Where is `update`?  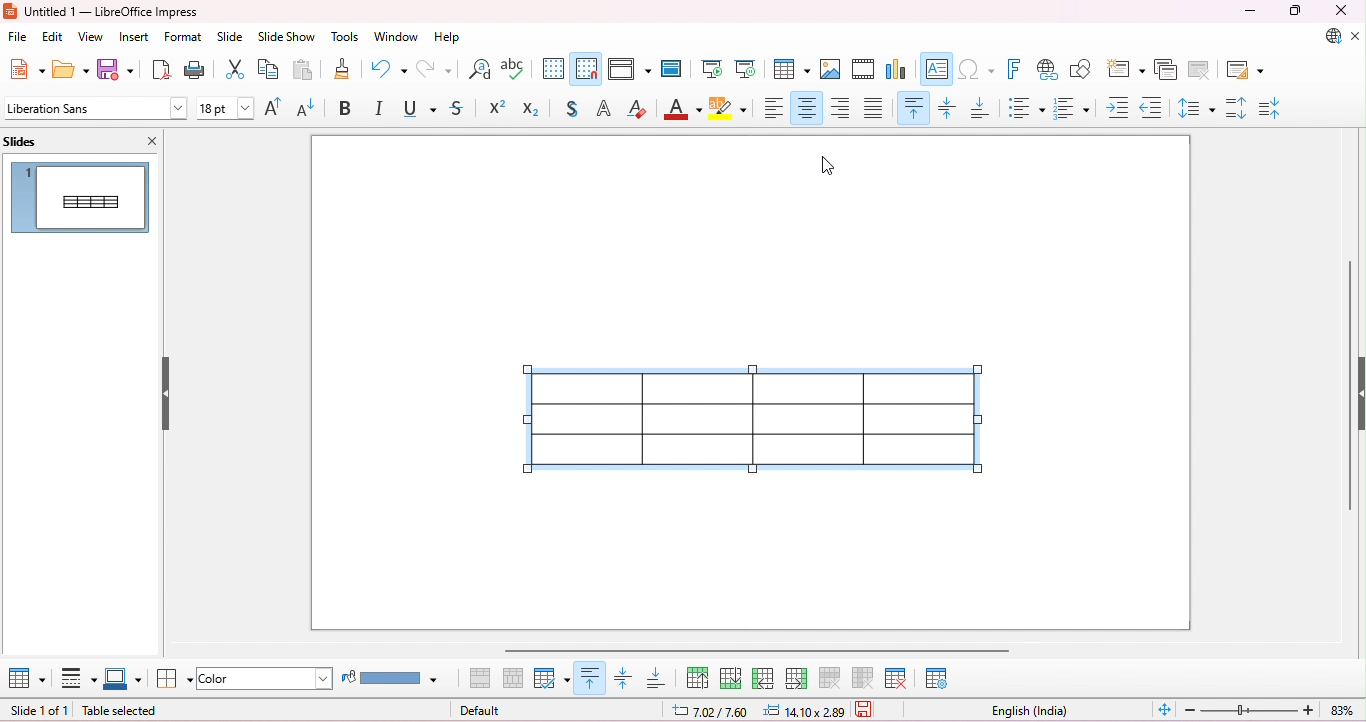 update is located at coordinates (1328, 36).